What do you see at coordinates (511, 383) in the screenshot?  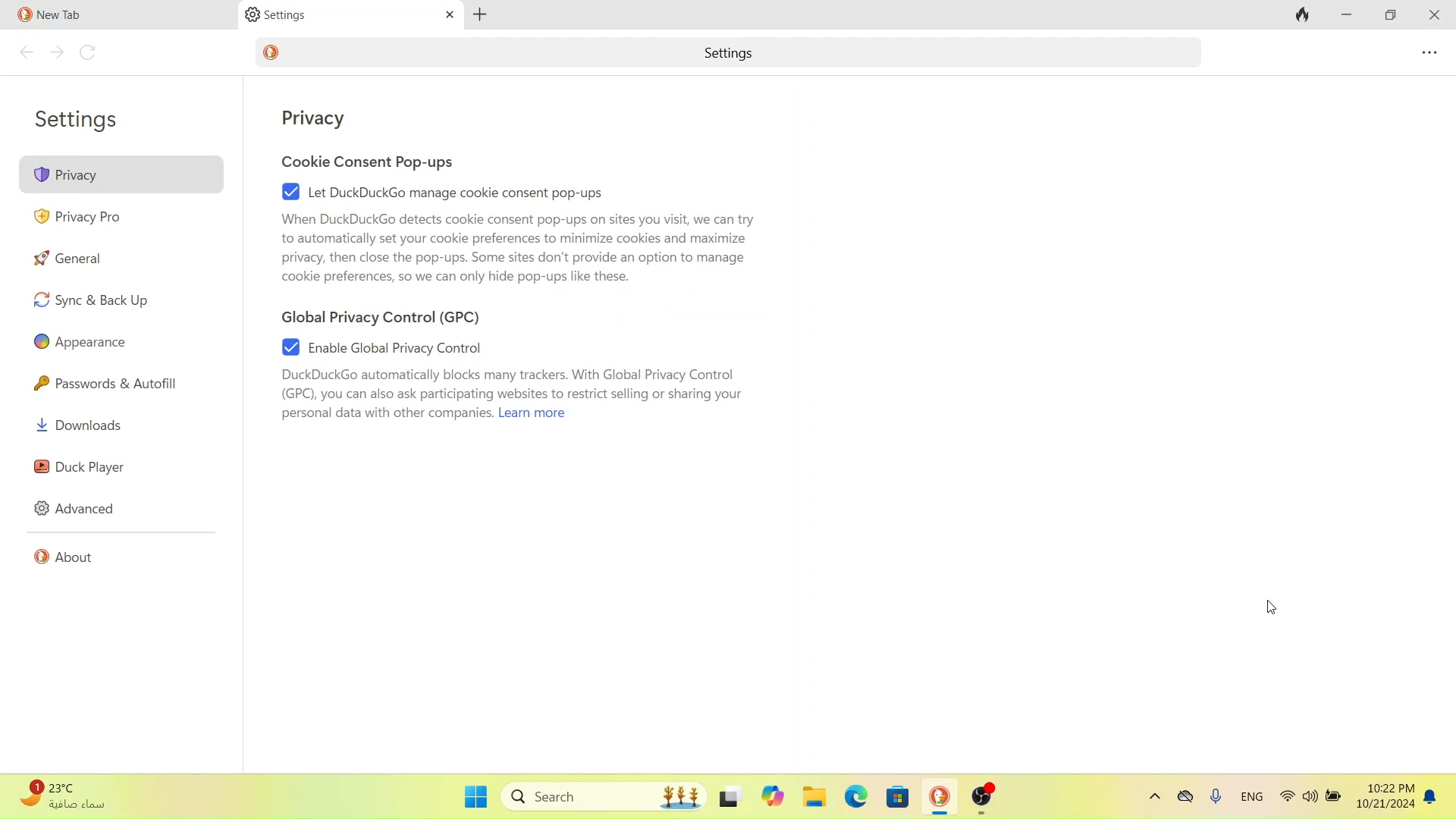 I see `DuckDuckGo automatically blocks many trackers. With Global Privacy Control(GPC), you can also ask participating websites to restrict selling or sharing your` at bounding box center [511, 383].